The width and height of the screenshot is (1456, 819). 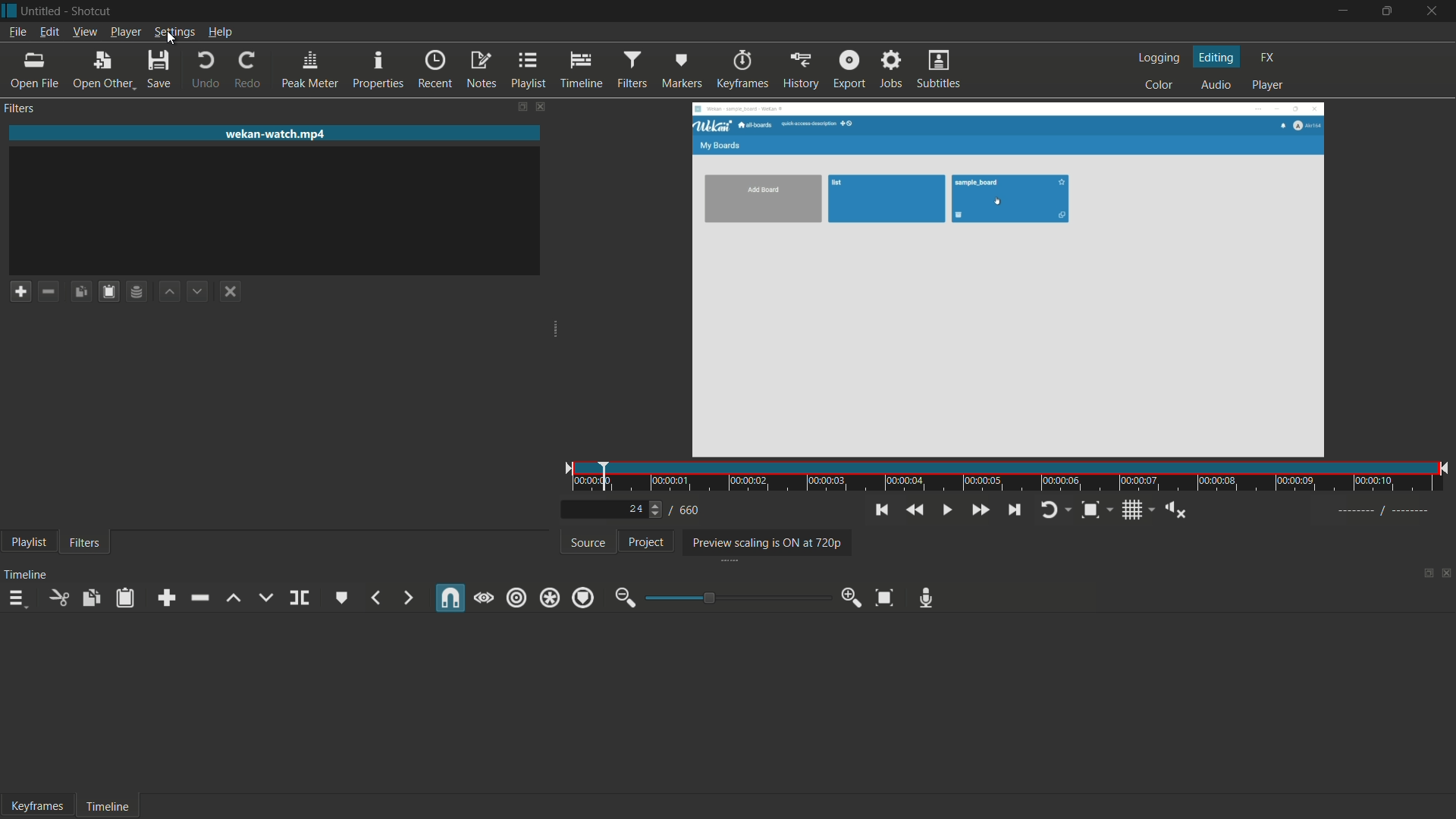 What do you see at coordinates (43, 11) in the screenshot?
I see `project name` at bounding box center [43, 11].